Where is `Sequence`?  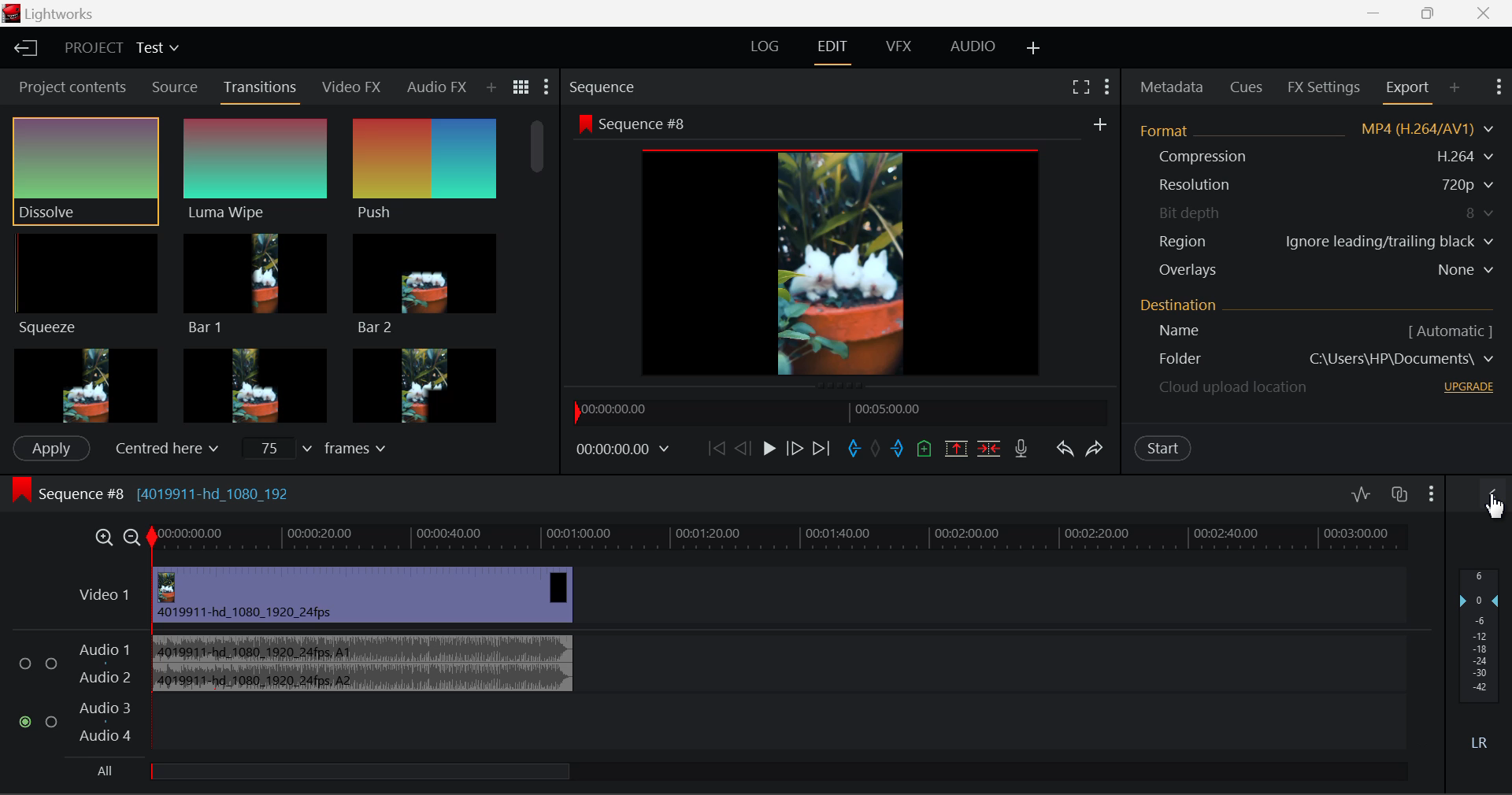 Sequence is located at coordinates (610, 86).